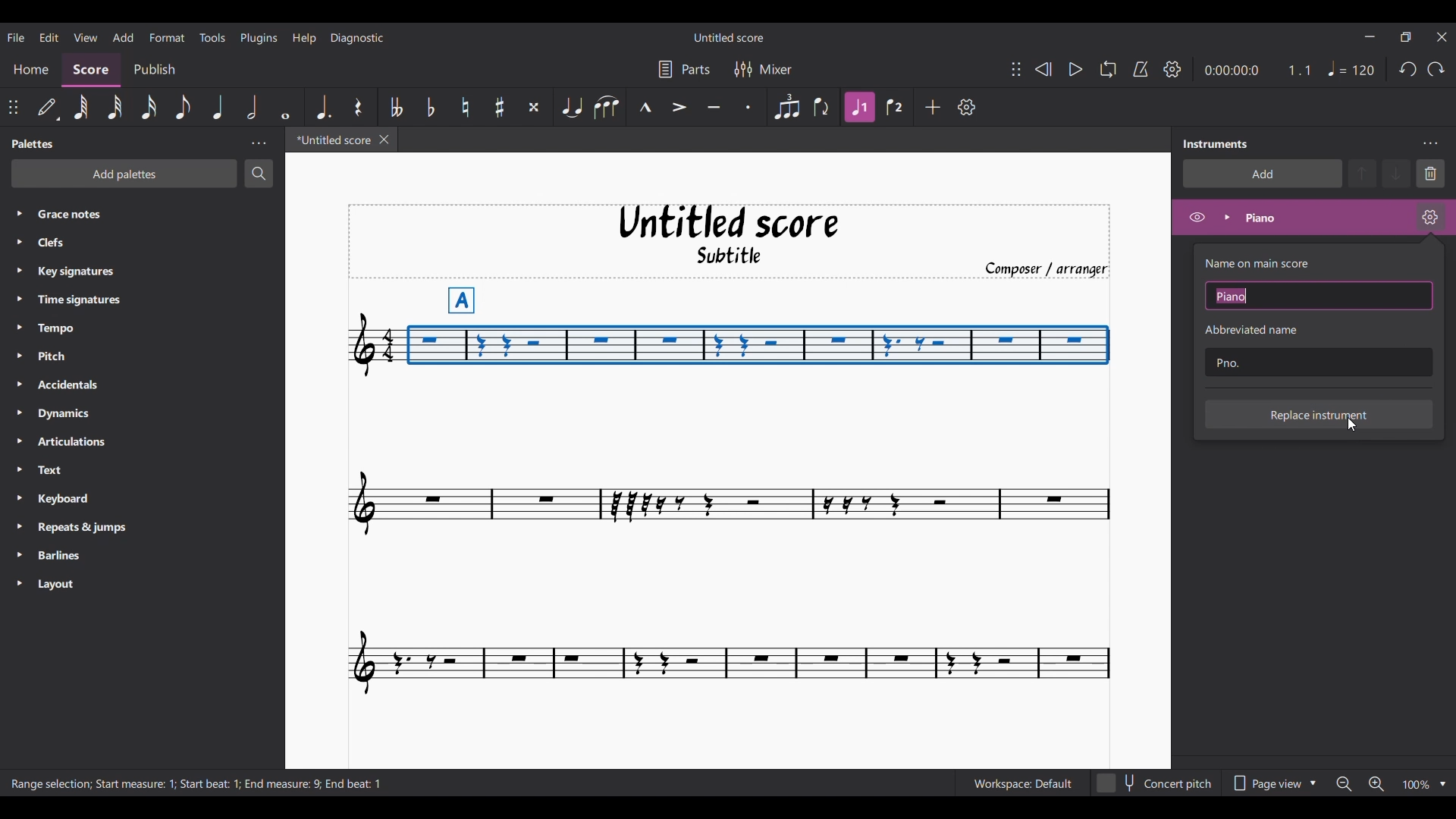  I want to click on Pitch, so click(86, 355).